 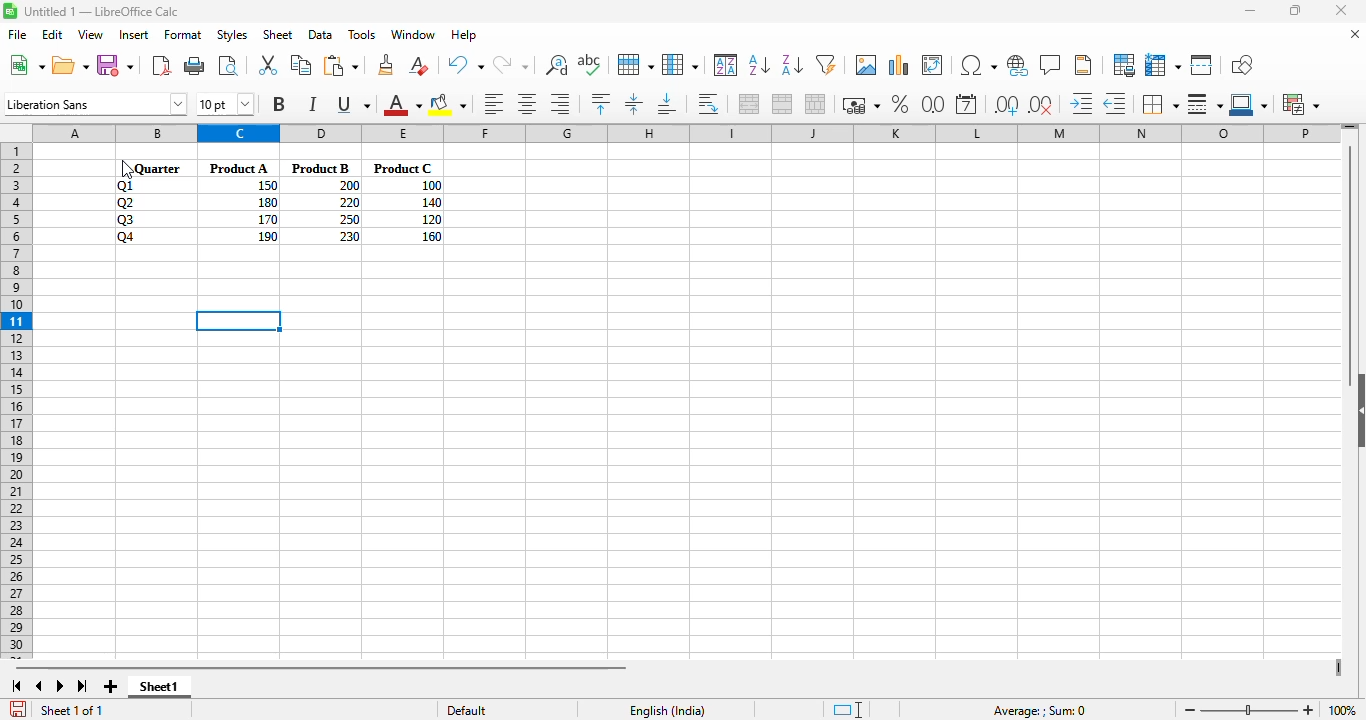 What do you see at coordinates (16, 686) in the screenshot?
I see `scroll to first sheet` at bounding box center [16, 686].